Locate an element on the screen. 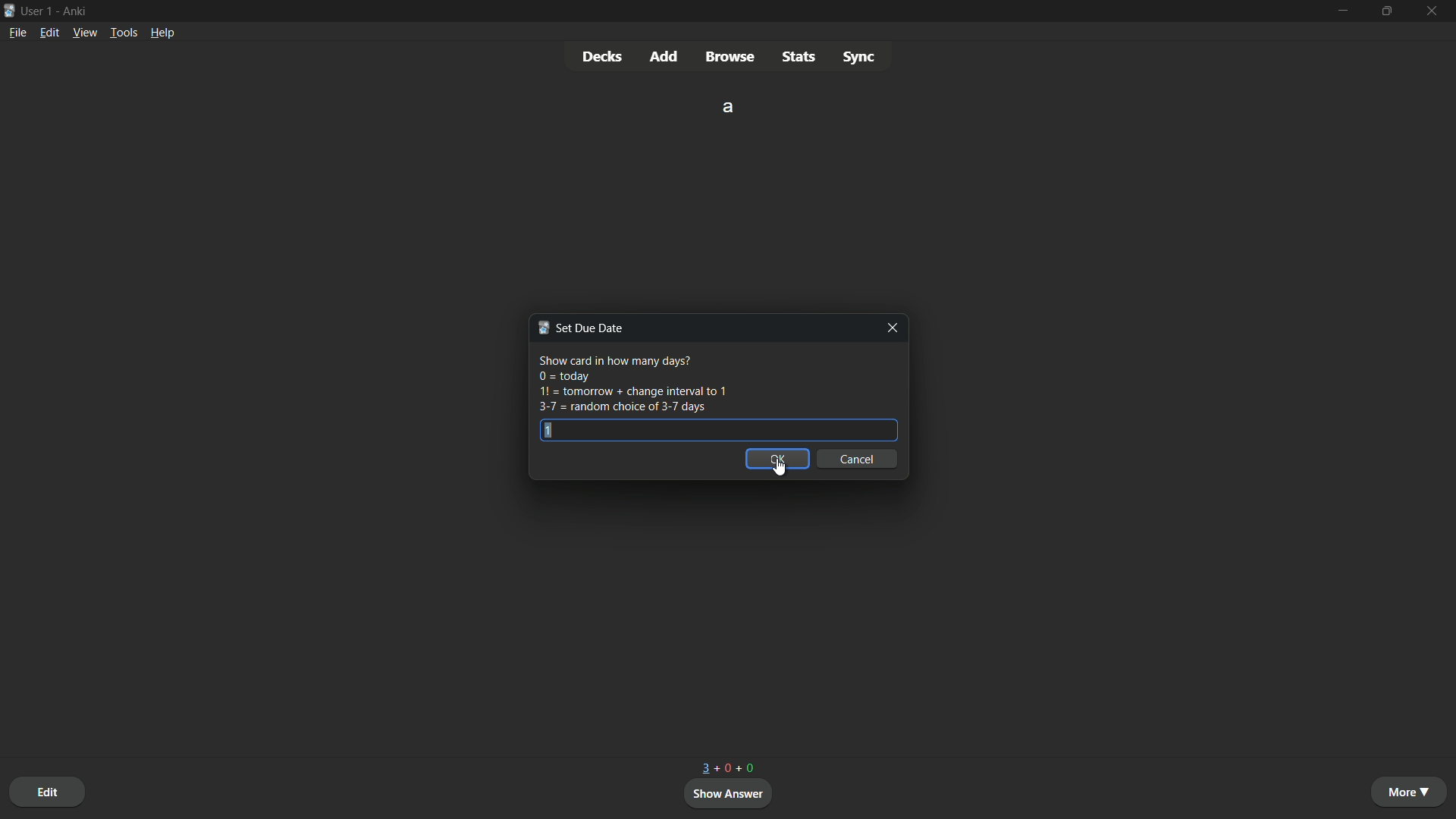 The width and height of the screenshot is (1456, 819). 3-7 = random choice of 3-7 days is located at coordinates (619, 407).